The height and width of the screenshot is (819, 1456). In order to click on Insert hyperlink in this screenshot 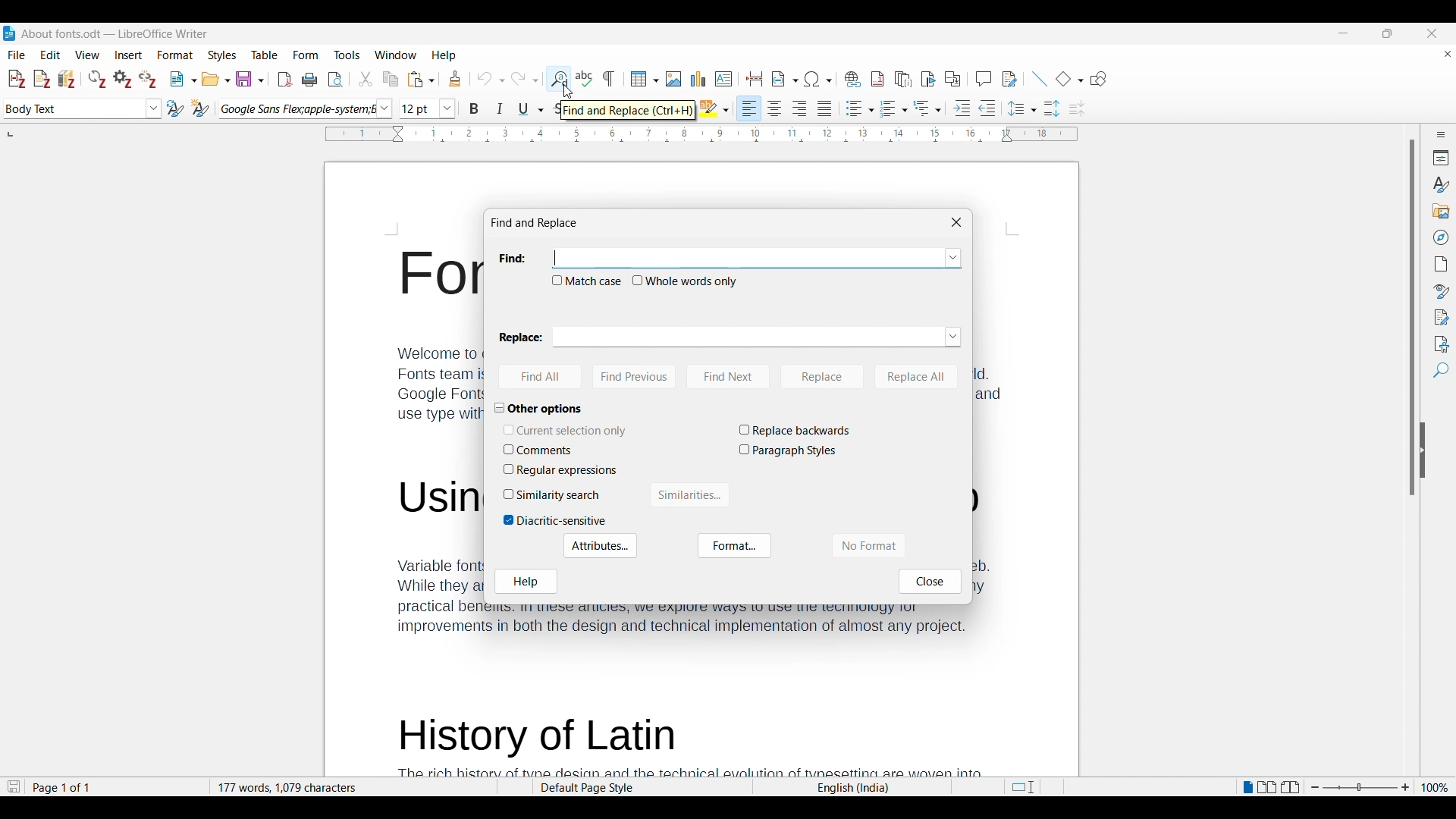, I will do `click(853, 79)`.